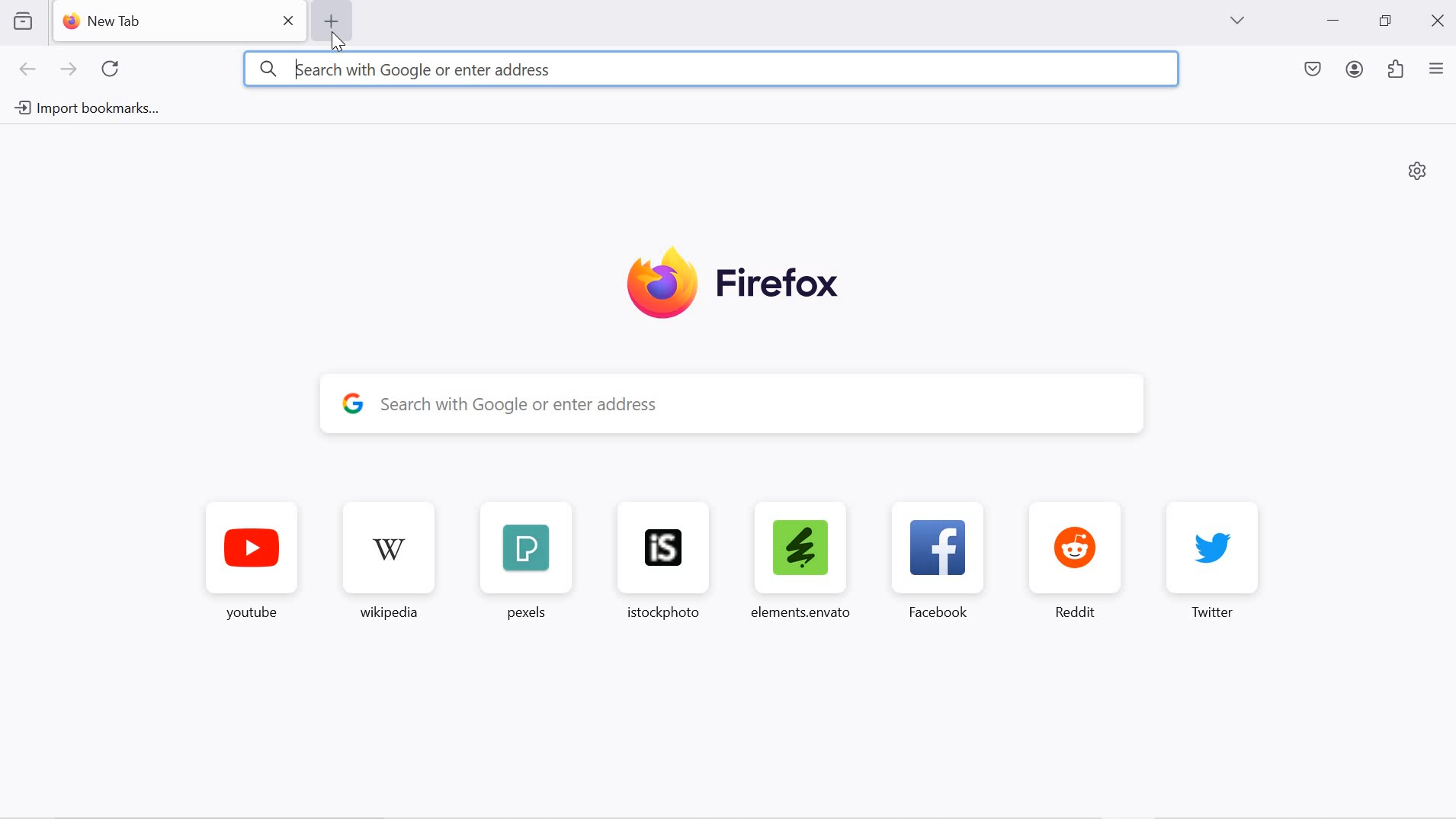 The image size is (1456, 819). I want to click on account, so click(1357, 72).